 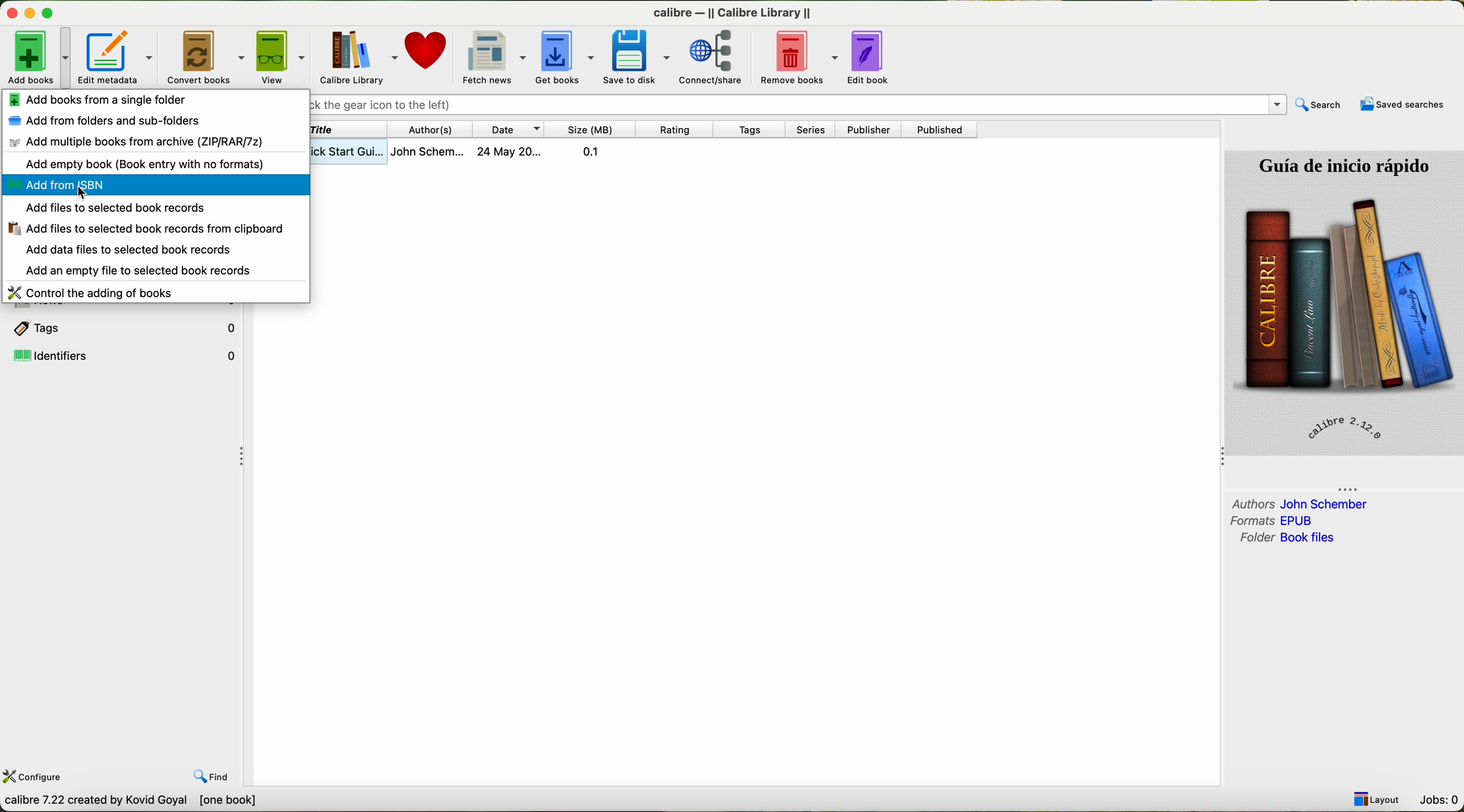 What do you see at coordinates (120, 55) in the screenshot?
I see `edit metadata` at bounding box center [120, 55].